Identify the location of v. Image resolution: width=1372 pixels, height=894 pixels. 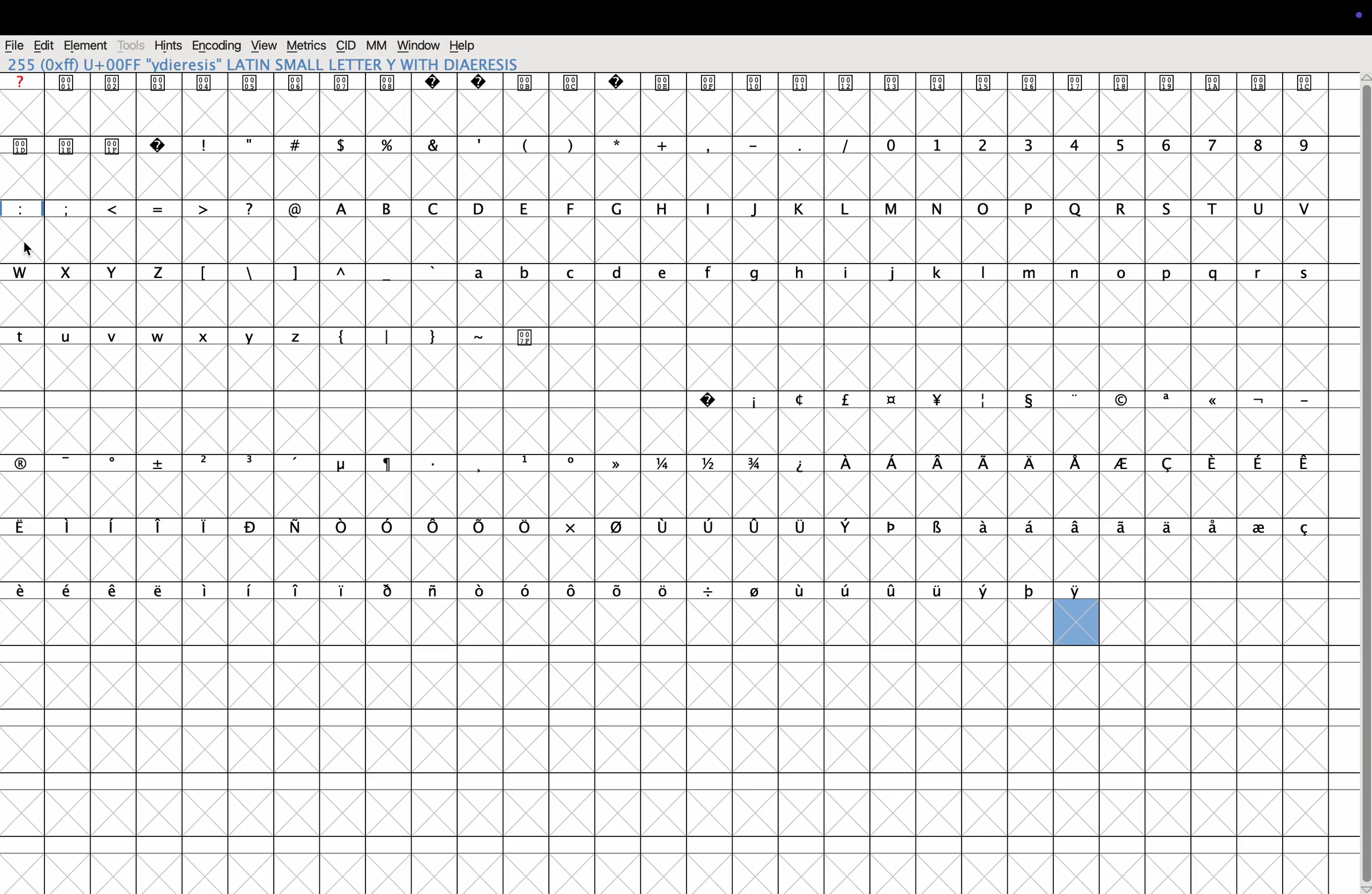
(114, 356).